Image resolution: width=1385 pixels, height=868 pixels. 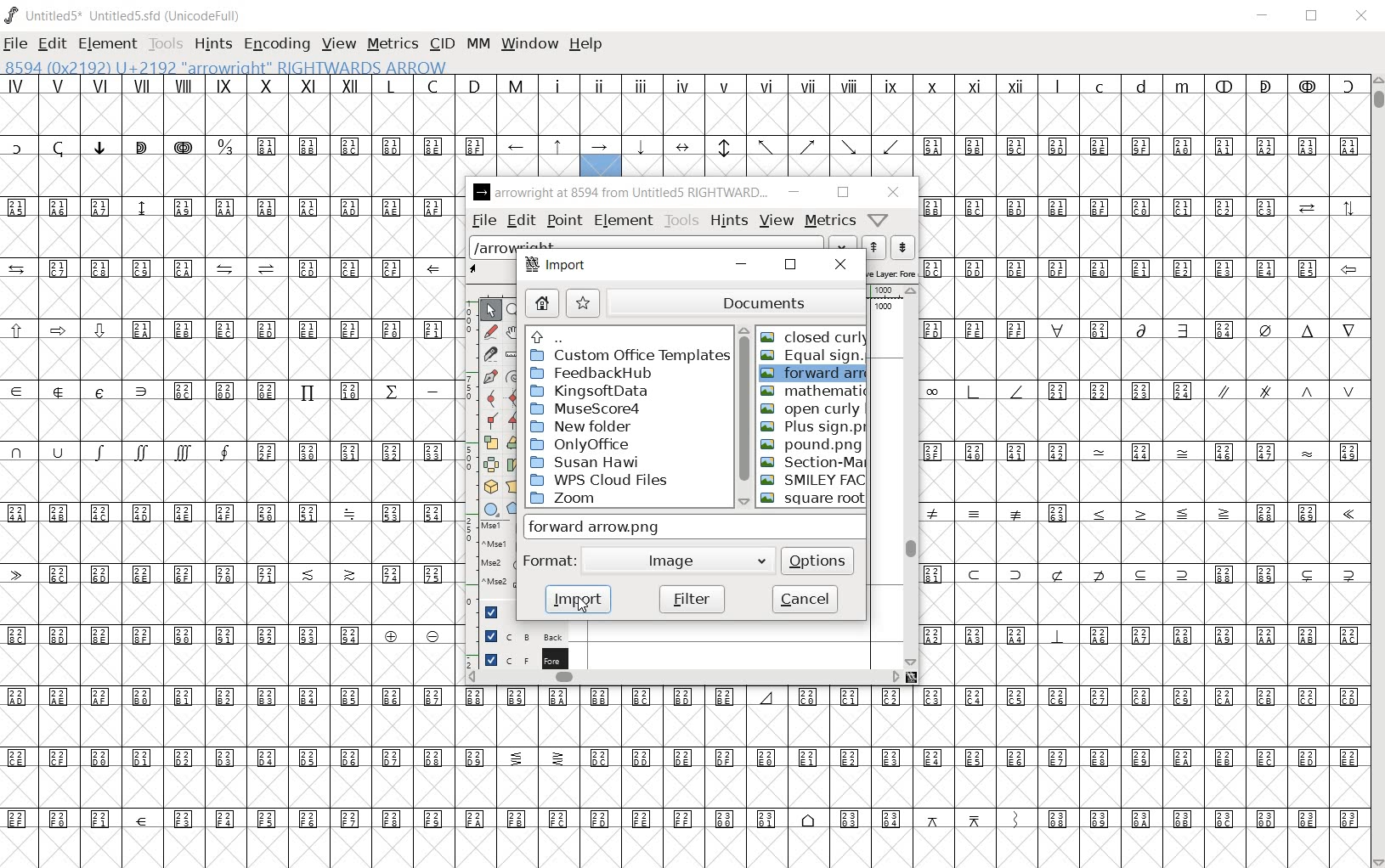 What do you see at coordinates (738, 300) in the screenshot?
I see `documents` at bounding box center [738, 300].